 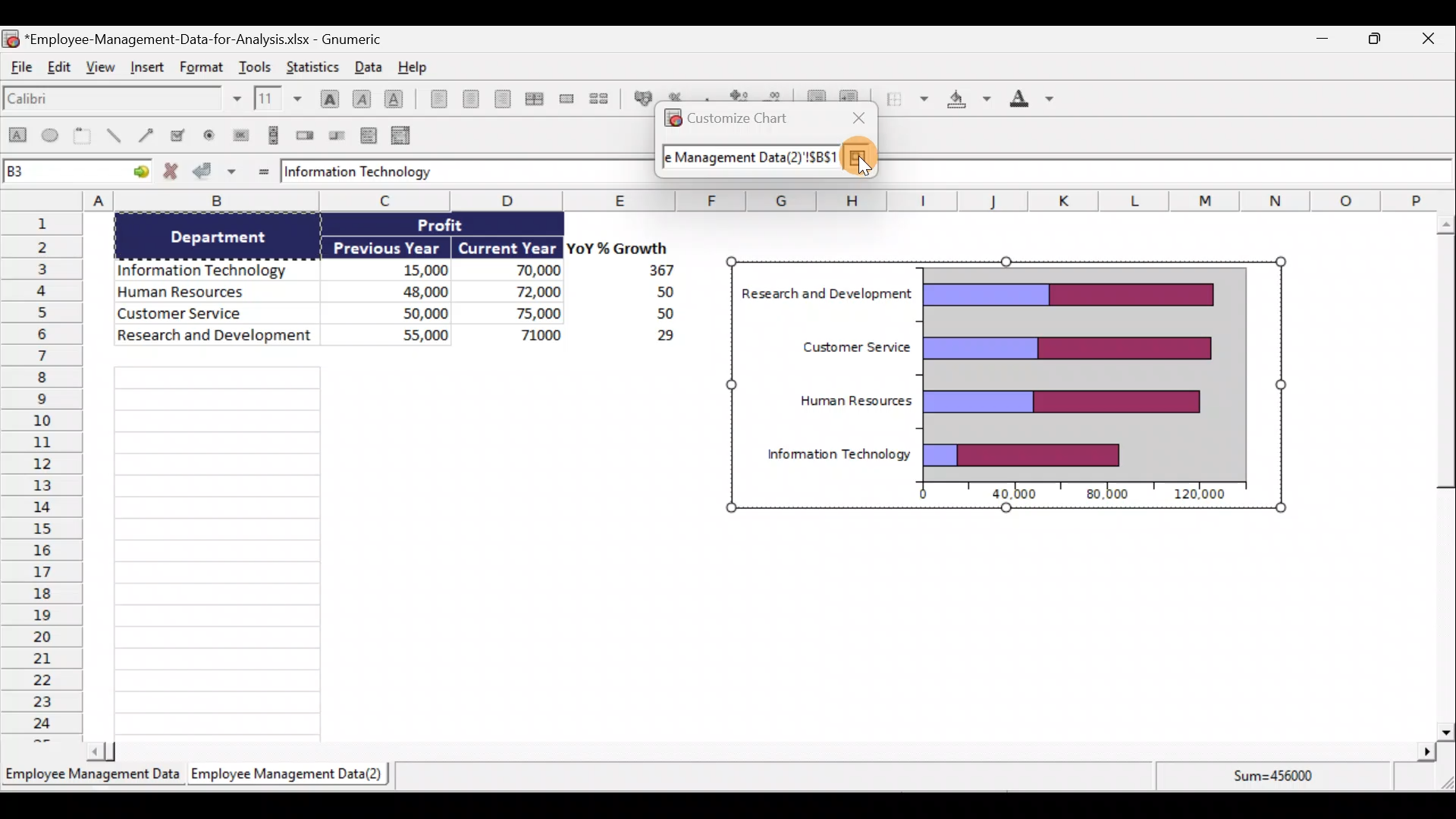 What do you see at coordinates (336, 136) in the screenshot?
I see `Create a slider` at bounding box center [336, 136].